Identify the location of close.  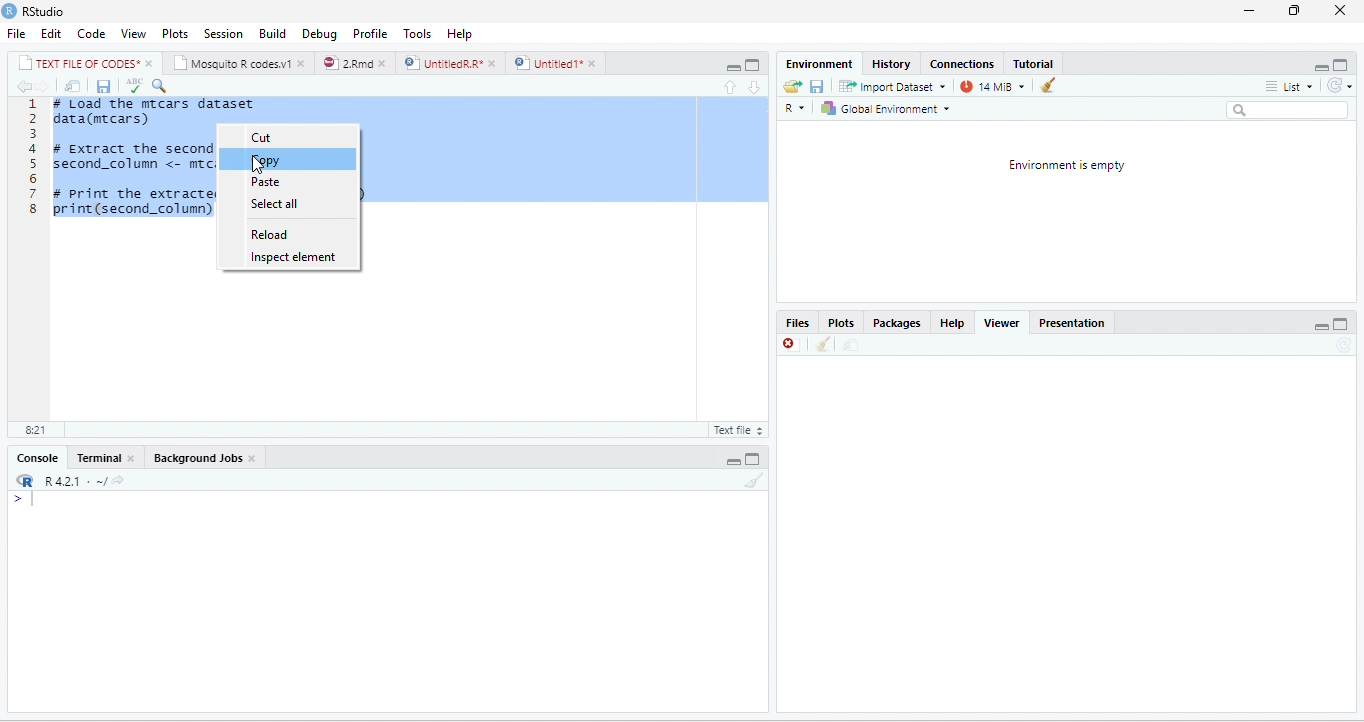
(133, 458).